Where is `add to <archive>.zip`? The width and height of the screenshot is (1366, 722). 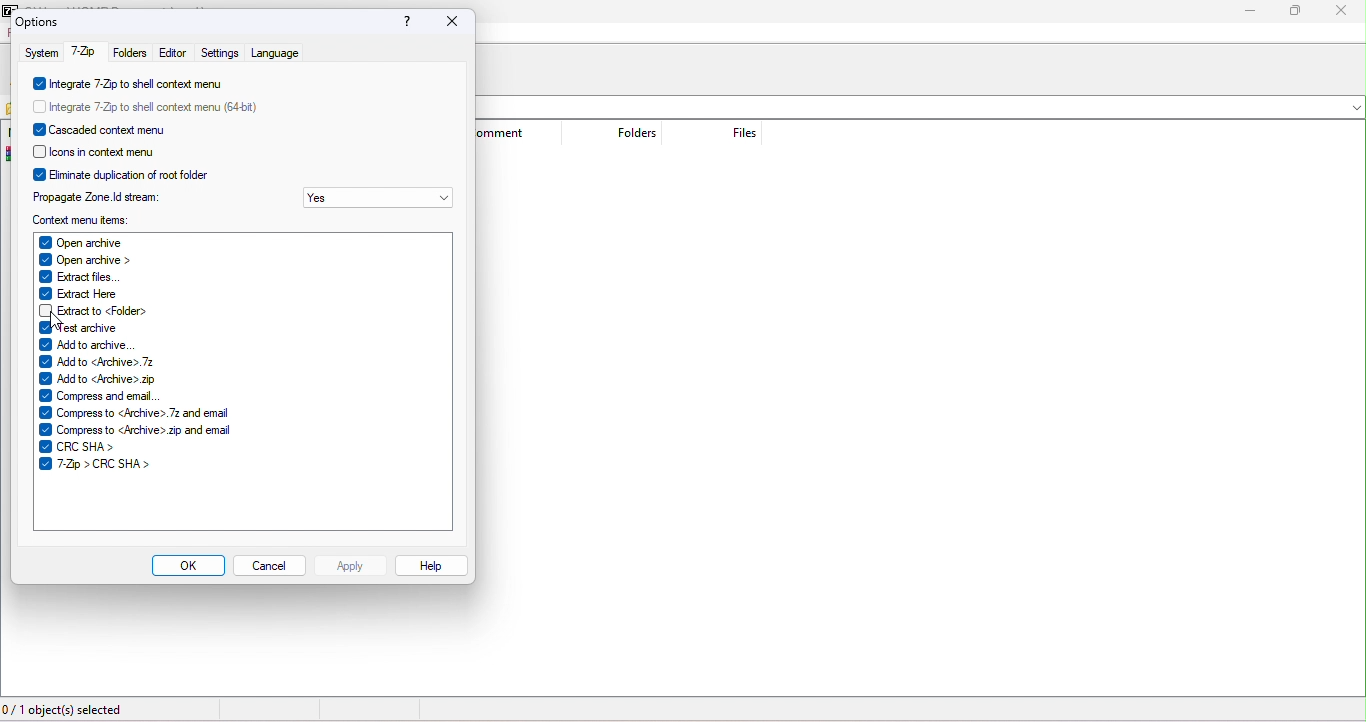 add to <archive>.zip is located at coordinates (100, 379).